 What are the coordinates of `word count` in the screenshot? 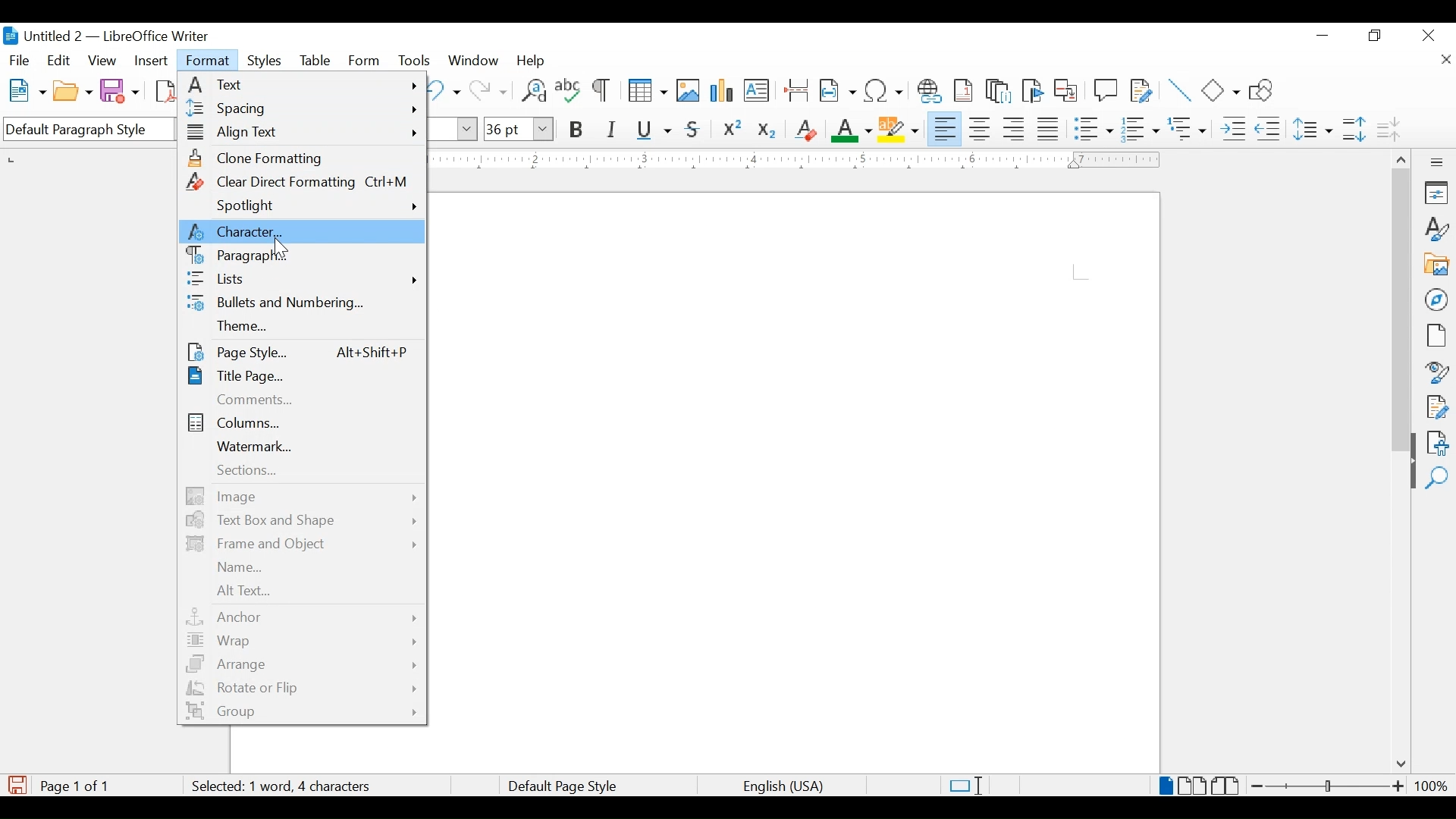 It's located at (253, 786).